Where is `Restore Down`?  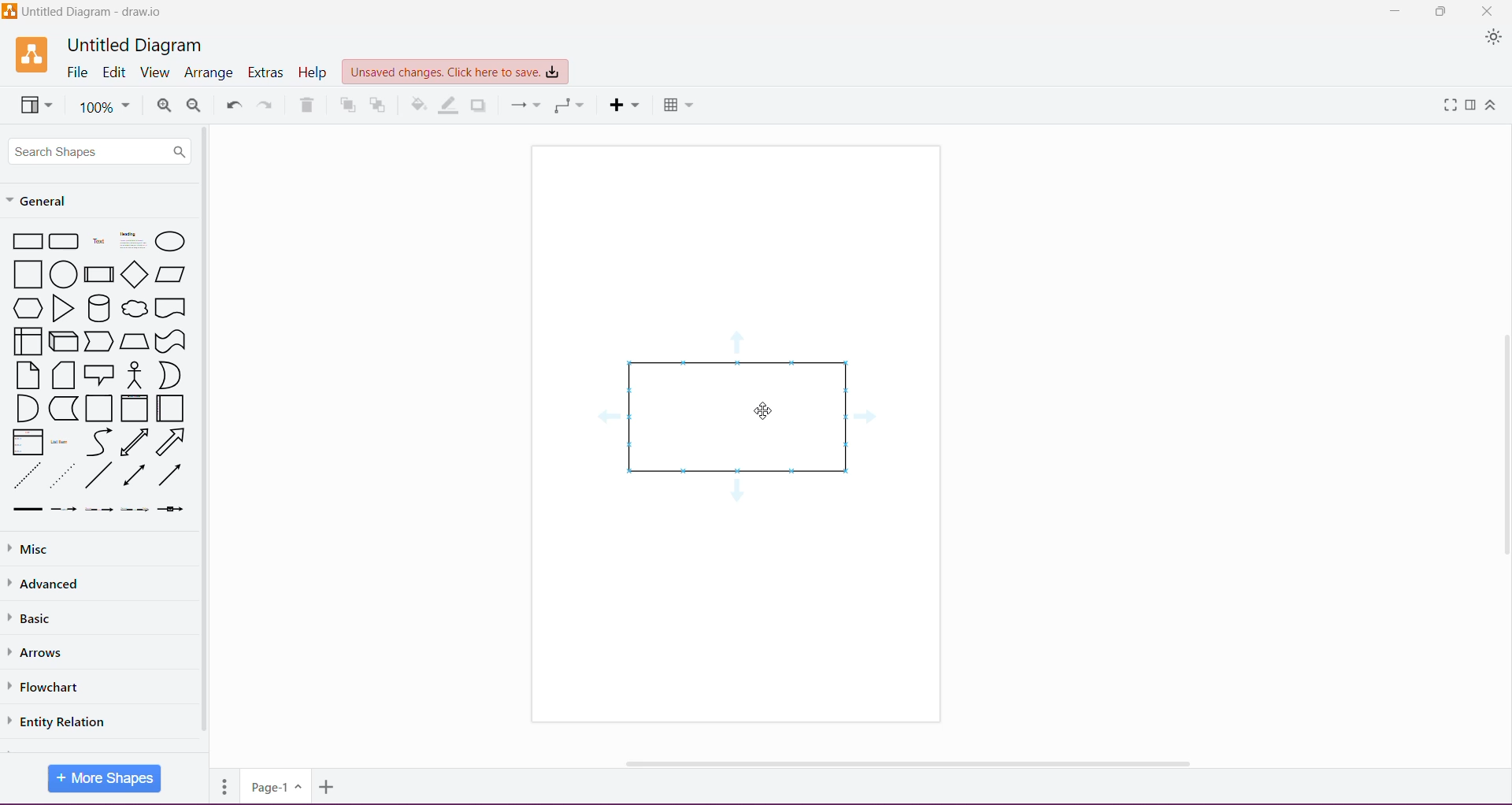
Restore Down is located at coordinates (1442, 10).